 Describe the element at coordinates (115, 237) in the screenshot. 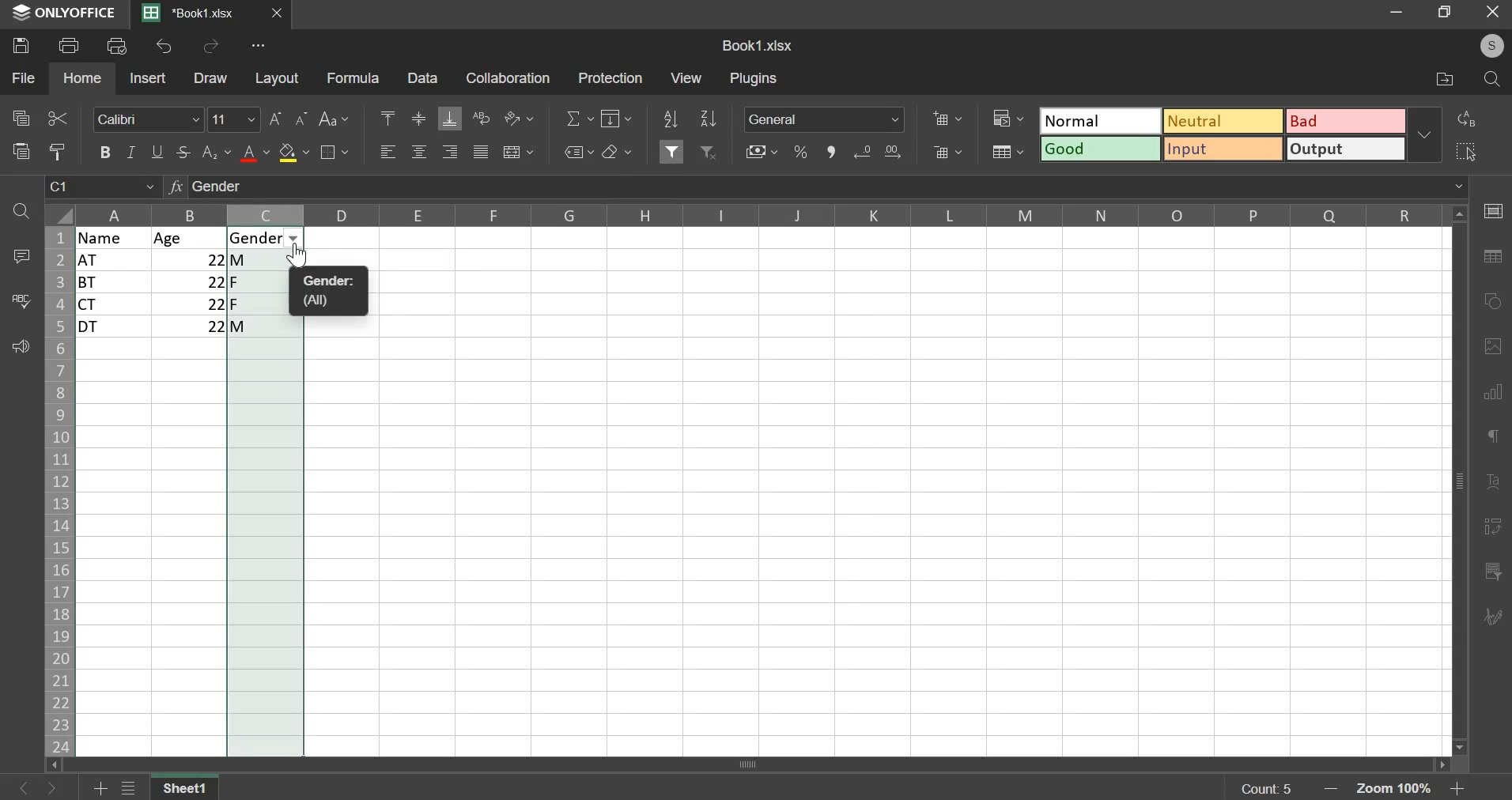

I see `name` at that location.